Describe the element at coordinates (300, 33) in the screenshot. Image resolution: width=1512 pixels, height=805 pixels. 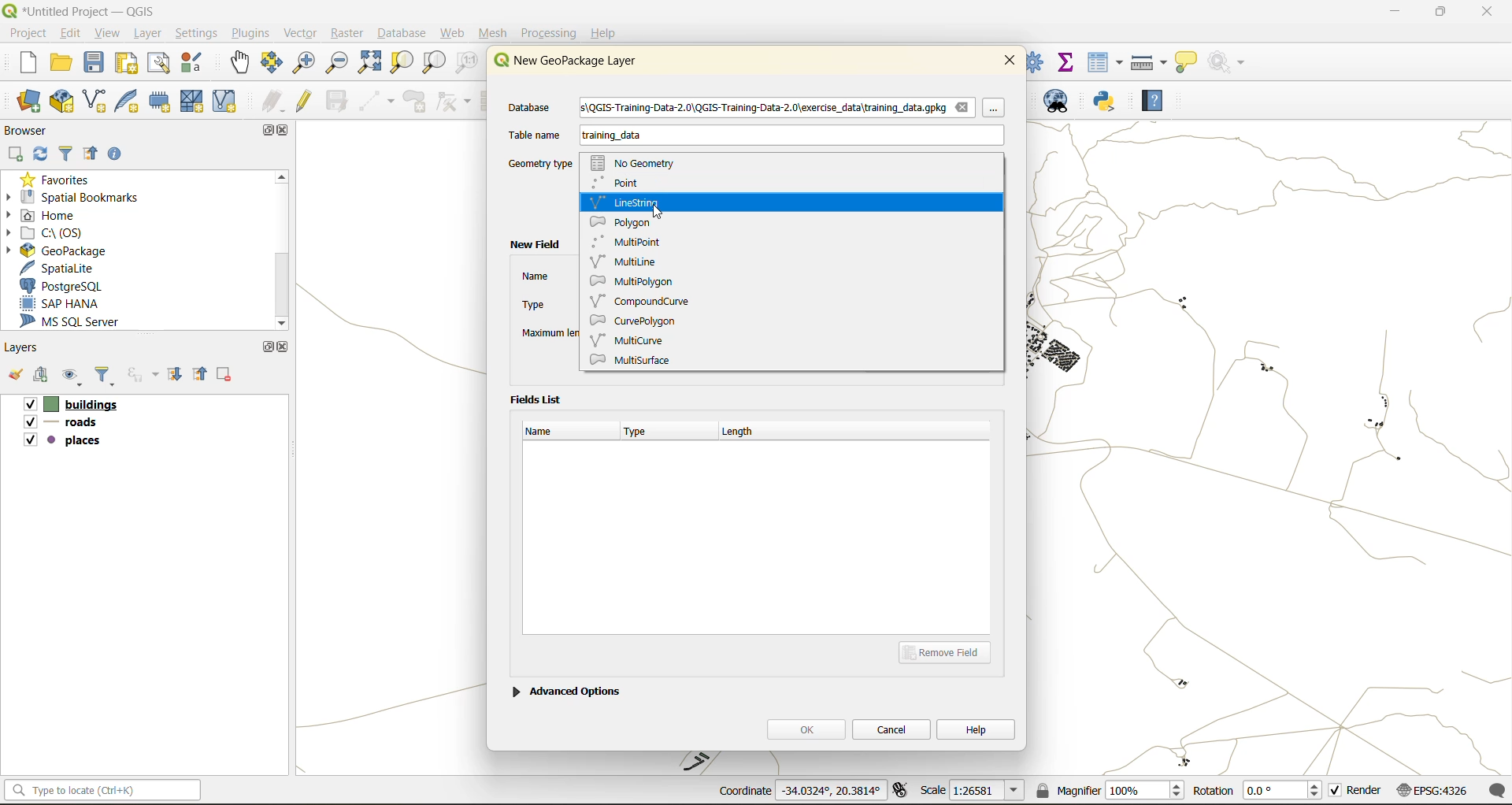
I see `vector` at that location.